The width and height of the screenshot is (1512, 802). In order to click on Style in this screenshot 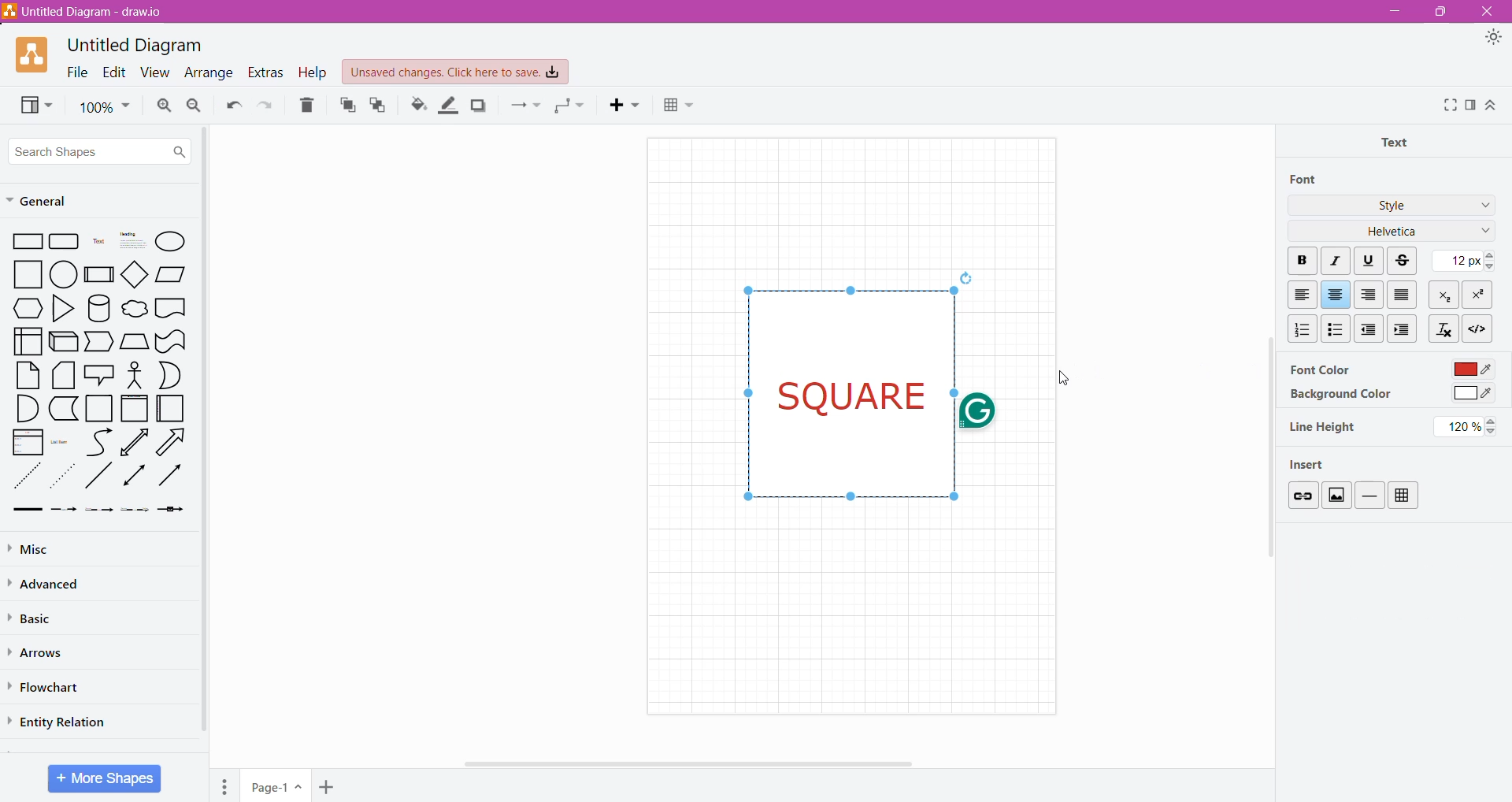, I will do `click(1392, 204)`.